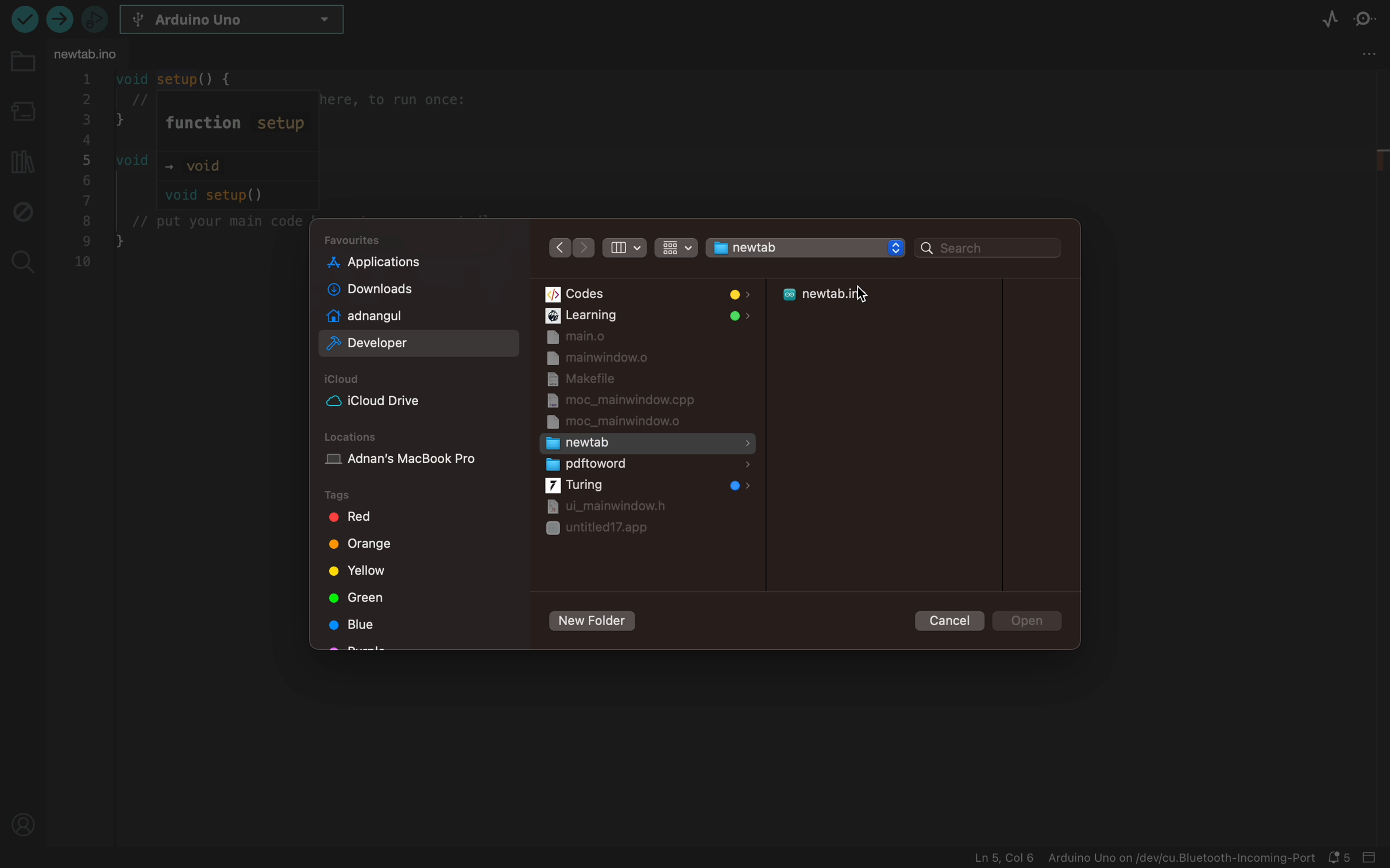 The height and width of the screenshot is (868, 1390). I want to click on learning, so click(647, 316).